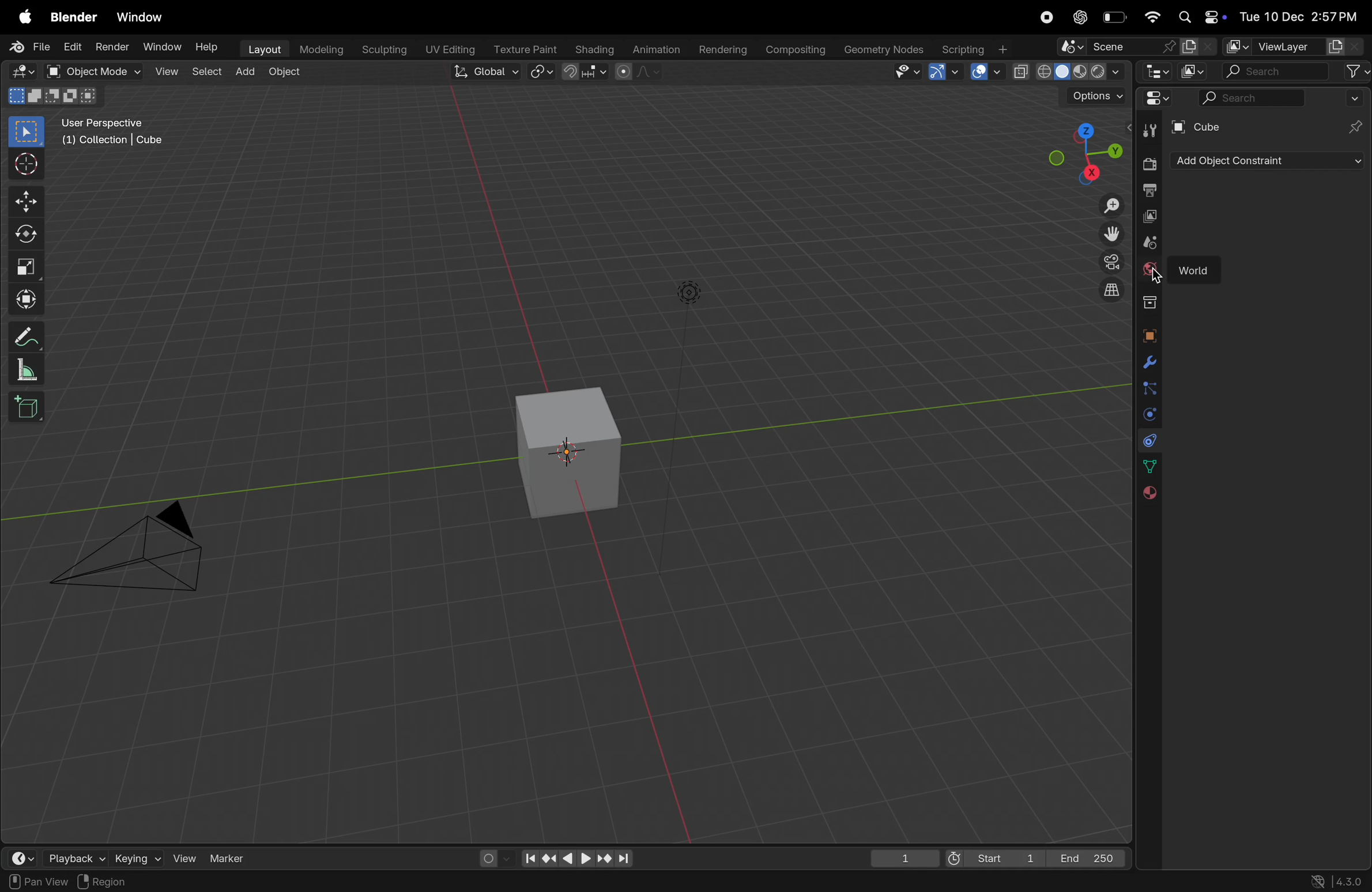 The image size is (1372, 892). Describe the element at coordinates (1149, 190) in the screenshot. I see `output` at that location.